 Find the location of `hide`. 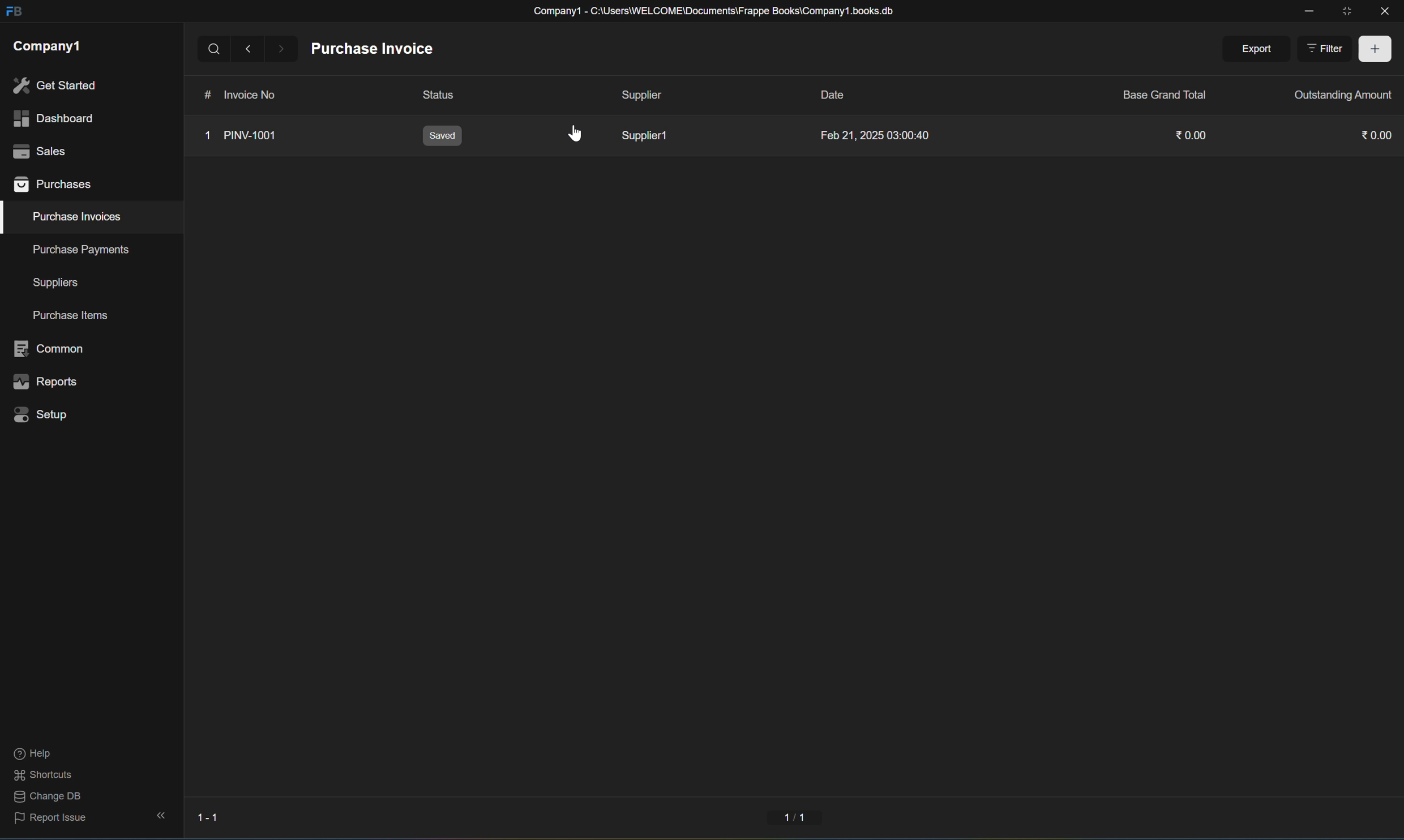

hide is located at coordinates (158, 816).